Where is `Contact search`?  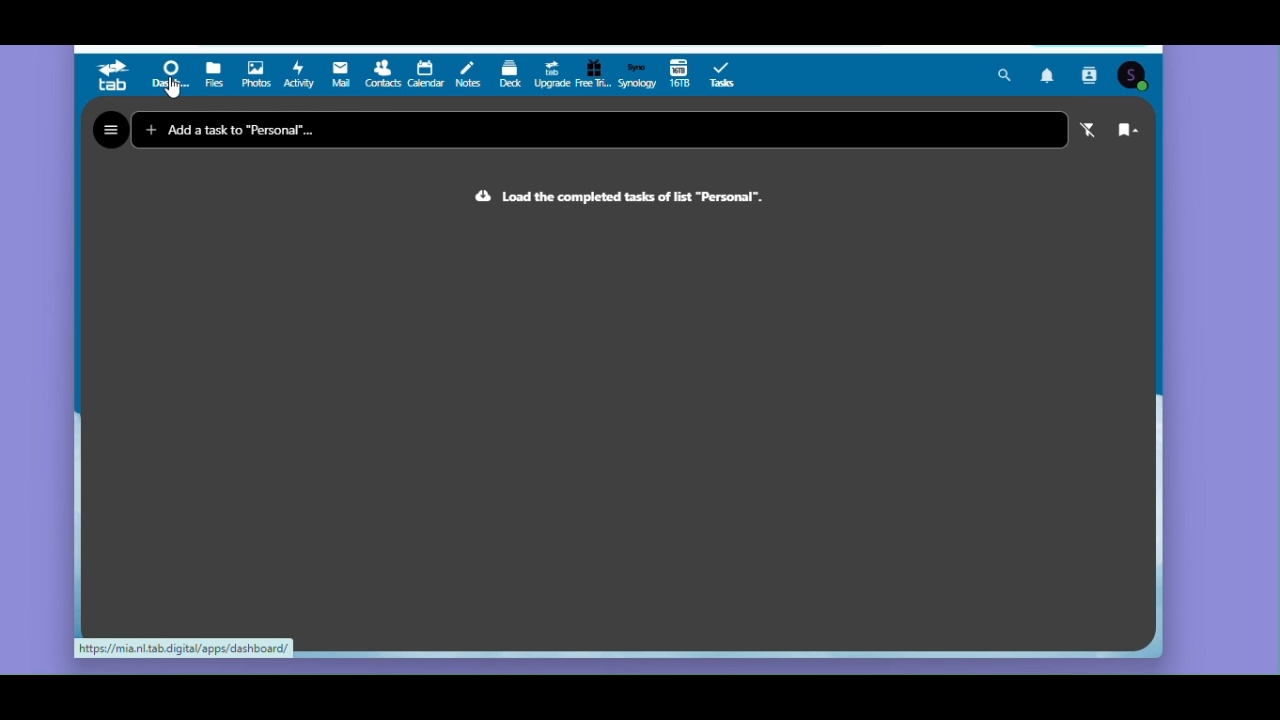 Contact search is located at coordinates (1090, 76).